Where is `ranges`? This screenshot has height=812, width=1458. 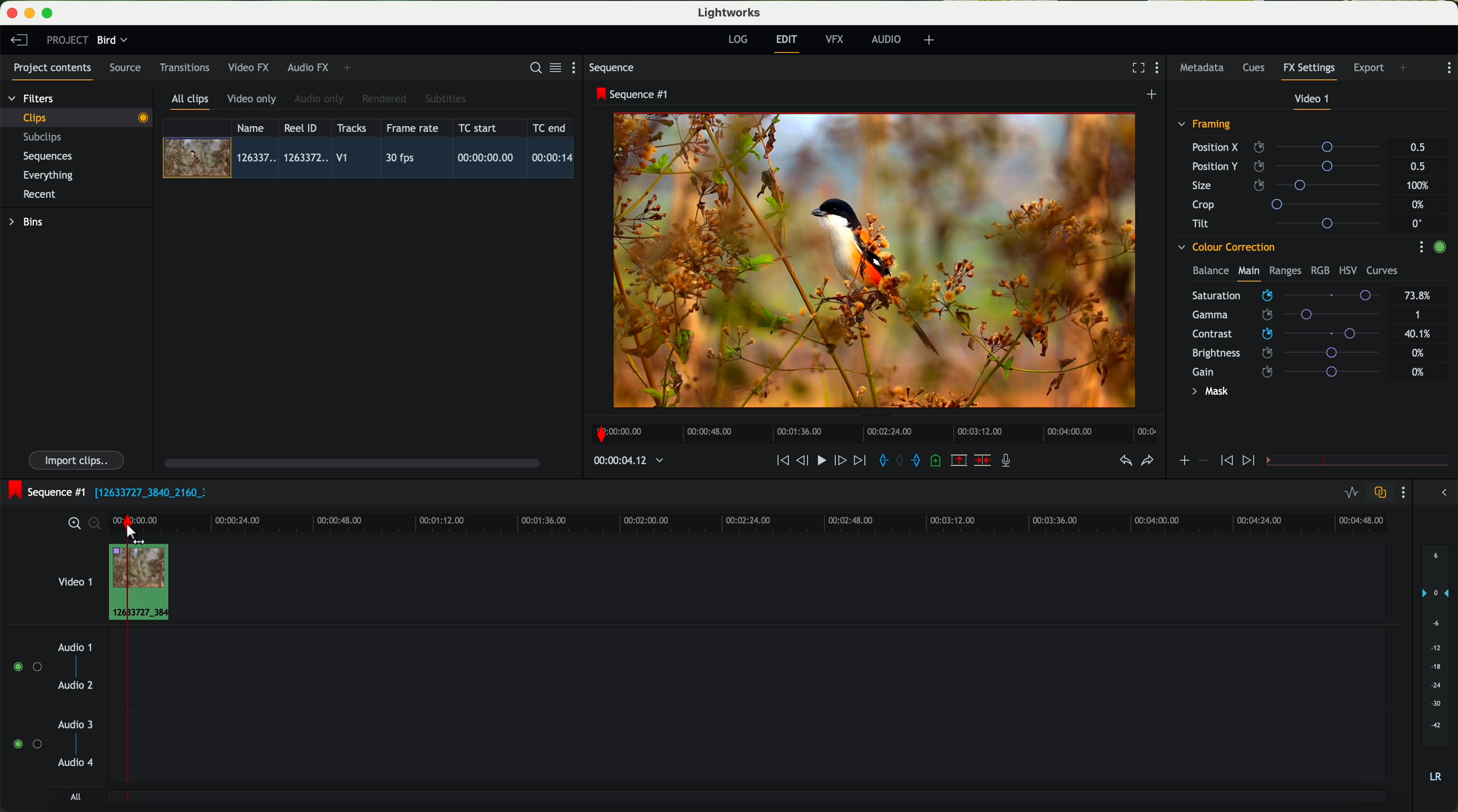
ranges is located at coordinates (1285, 270).